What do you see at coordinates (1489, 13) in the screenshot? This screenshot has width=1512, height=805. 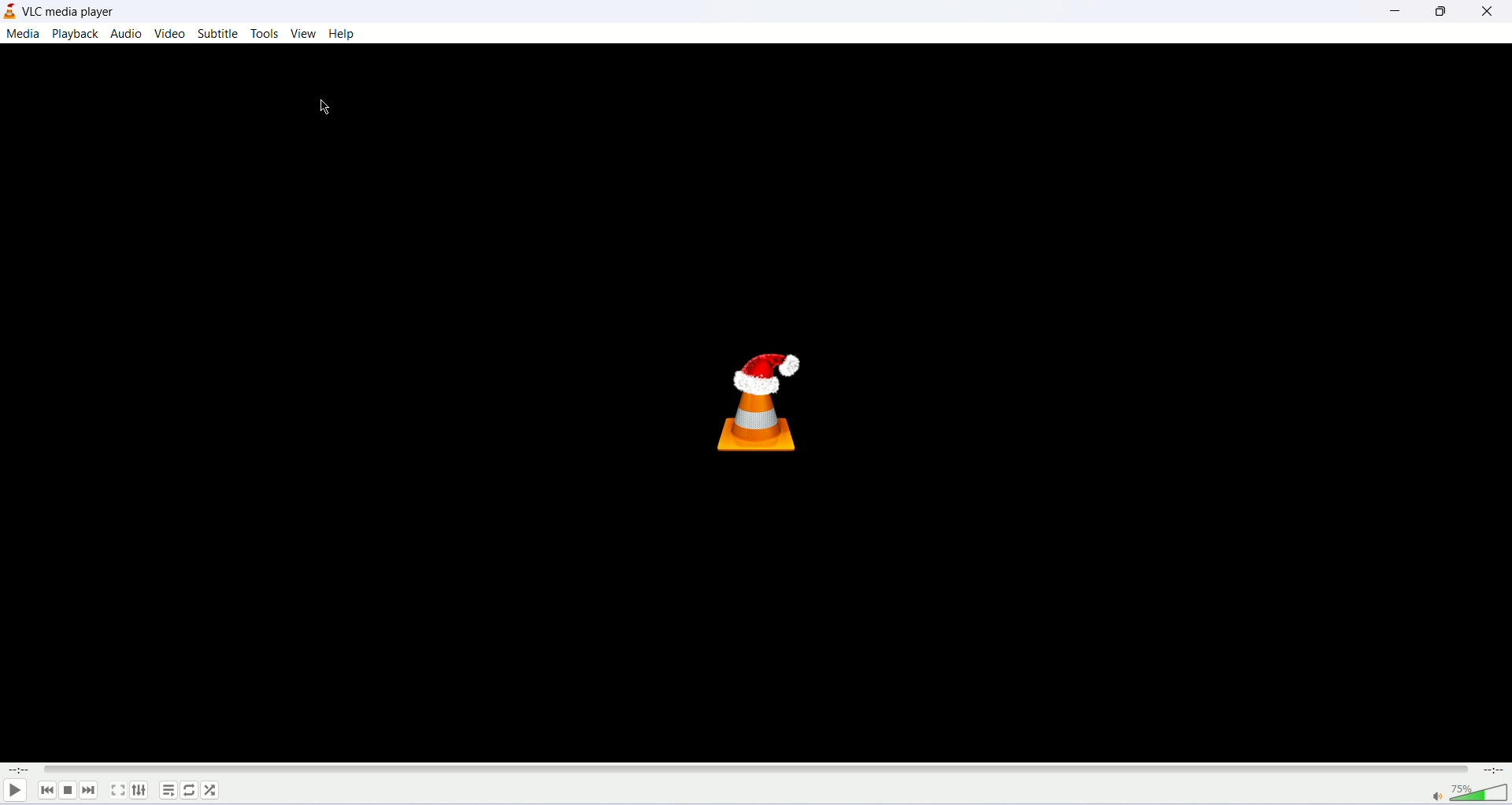 I see `close` at bounding box center [1489, 13].